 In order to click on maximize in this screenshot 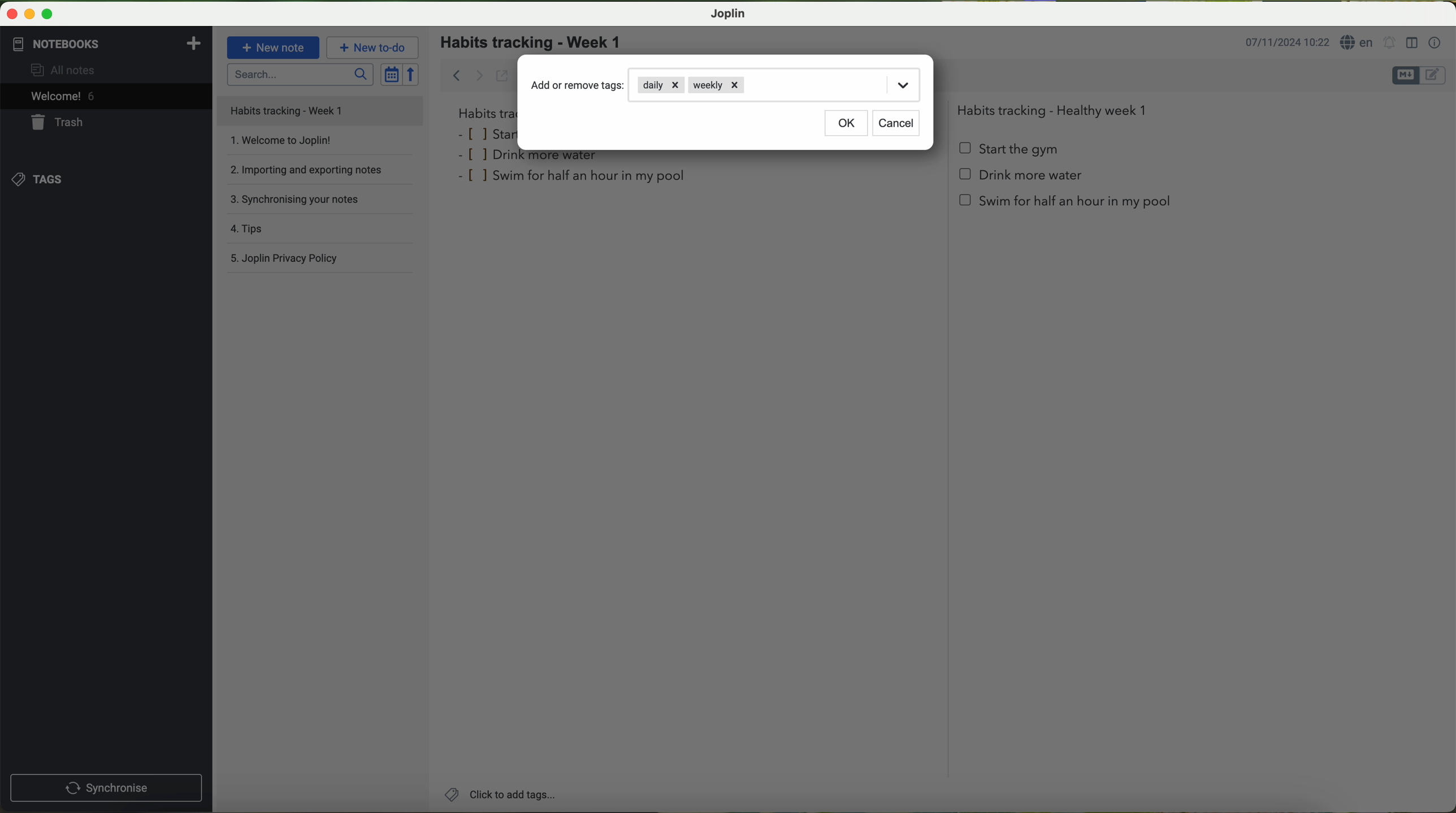, I will do `click(48, 14)`.